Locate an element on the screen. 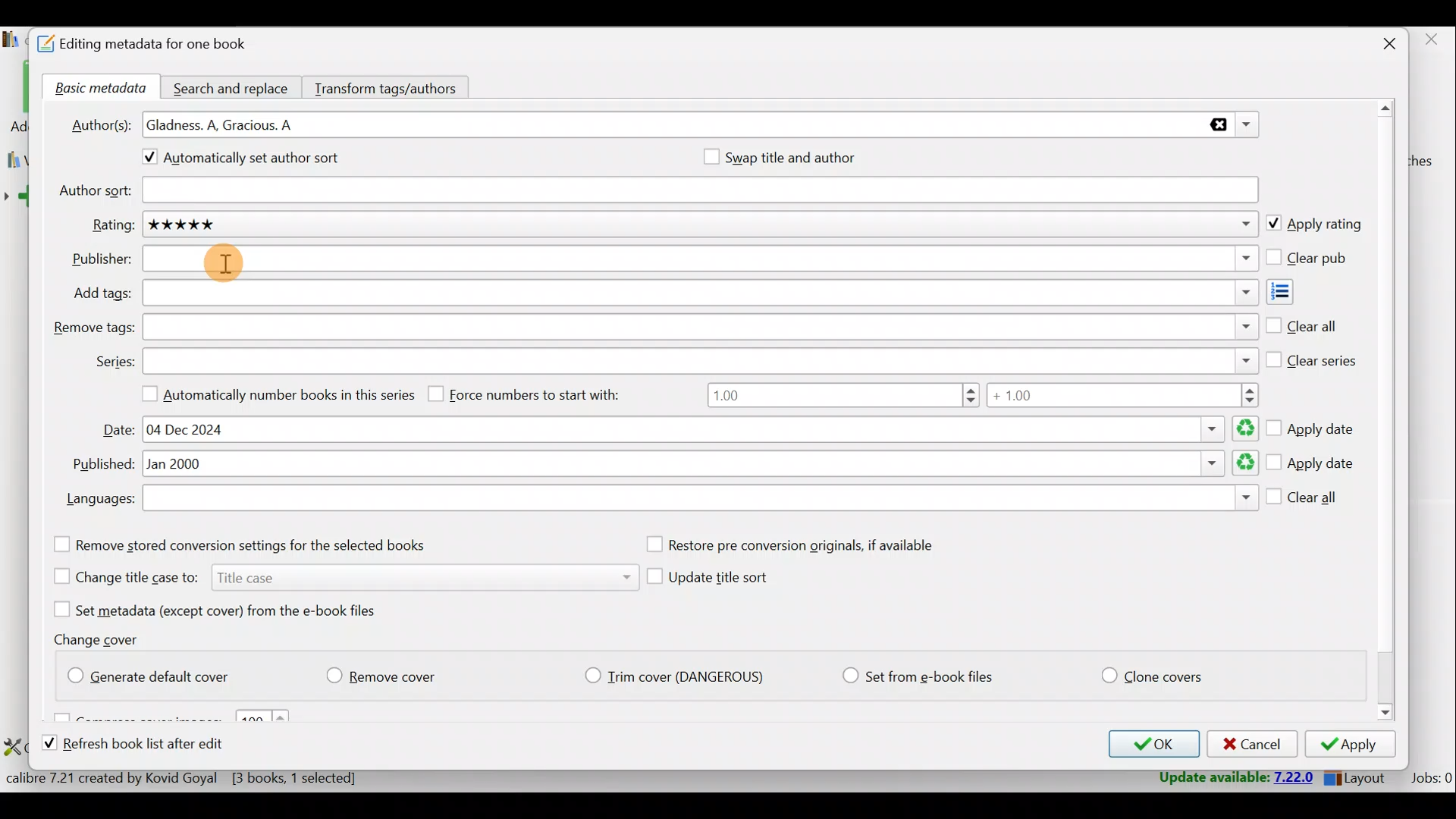 This screenshot has width=1456, height=819. Editing metadata for one book is located at coordinates (161, 45).